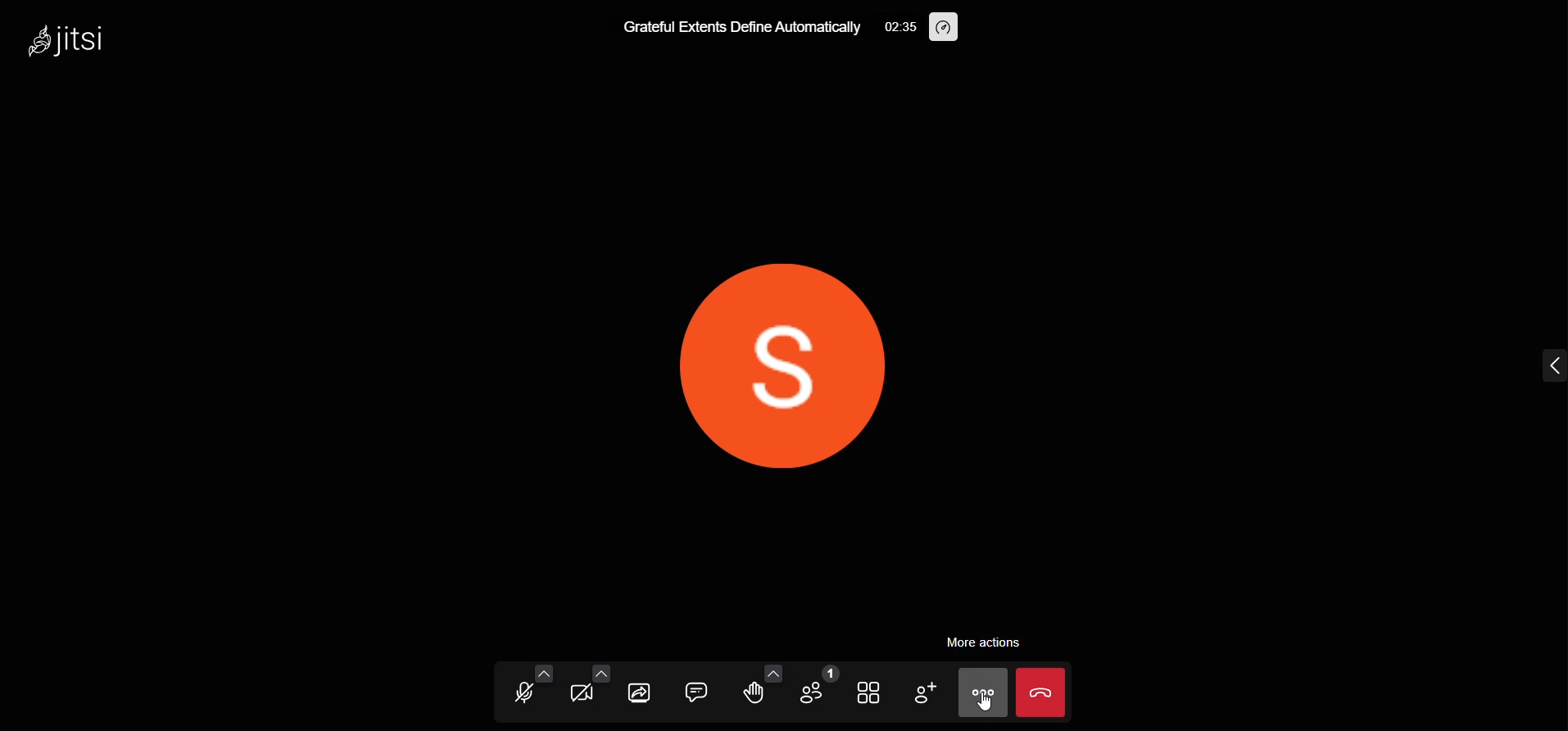 This screenshot has width=1568, height=731. Describe the element at coordinates (781, 370) in the screenshot. I see `display picture` at that location.